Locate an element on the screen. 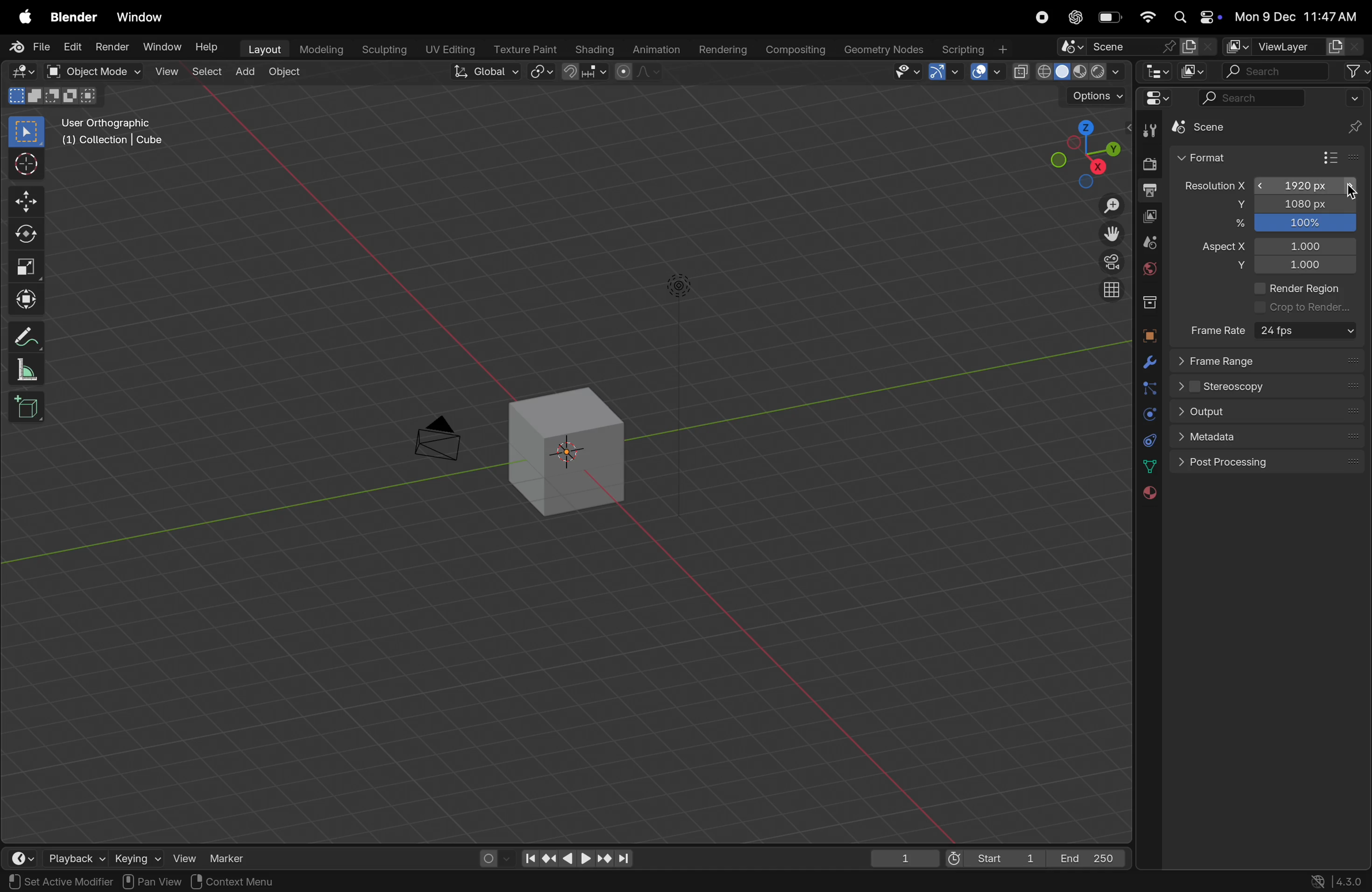  modes is located at coordinates (58, 95).